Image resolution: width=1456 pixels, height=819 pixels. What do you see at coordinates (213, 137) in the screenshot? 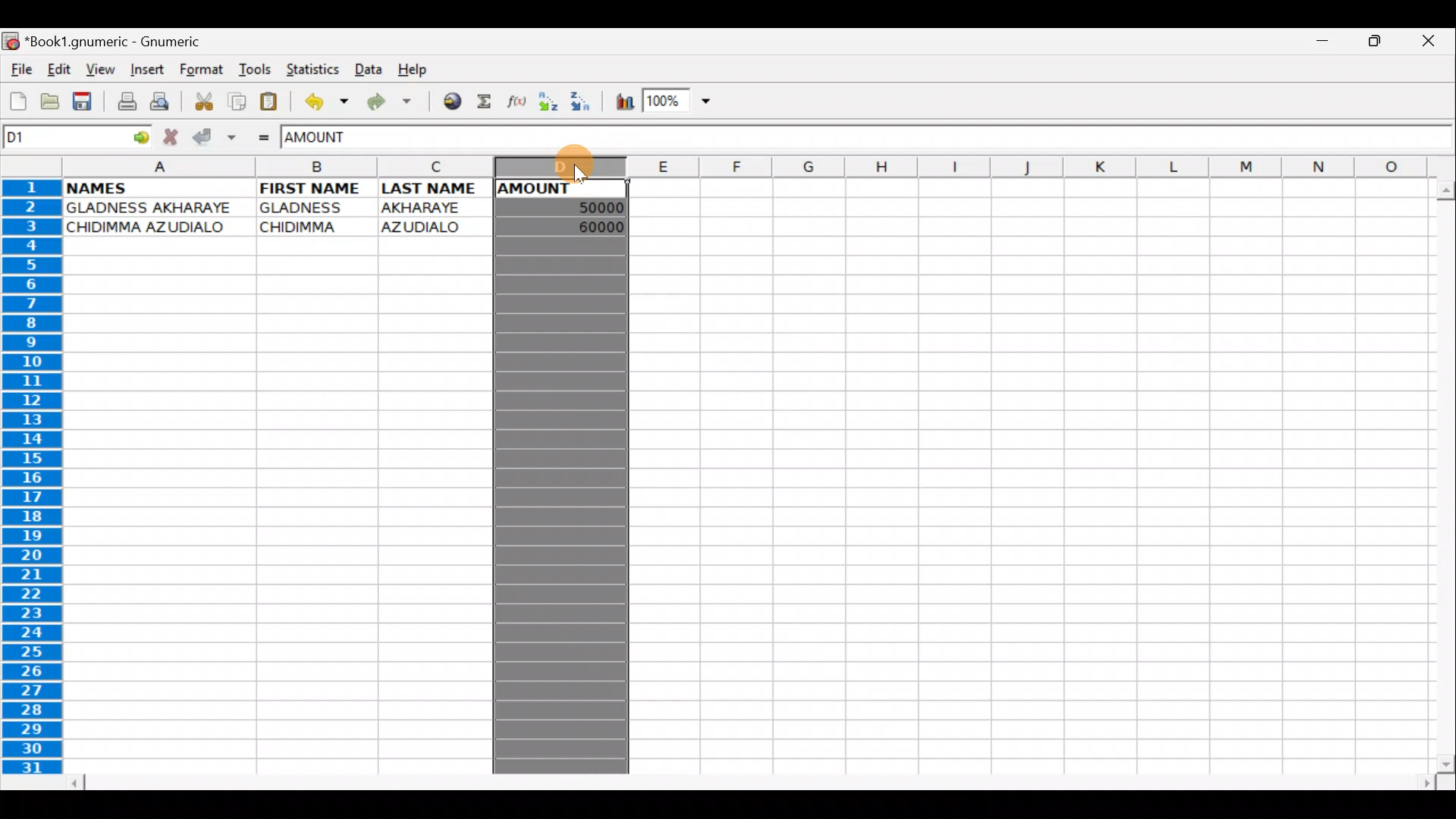
I see `Accept change` at bounding box center [213, 137].